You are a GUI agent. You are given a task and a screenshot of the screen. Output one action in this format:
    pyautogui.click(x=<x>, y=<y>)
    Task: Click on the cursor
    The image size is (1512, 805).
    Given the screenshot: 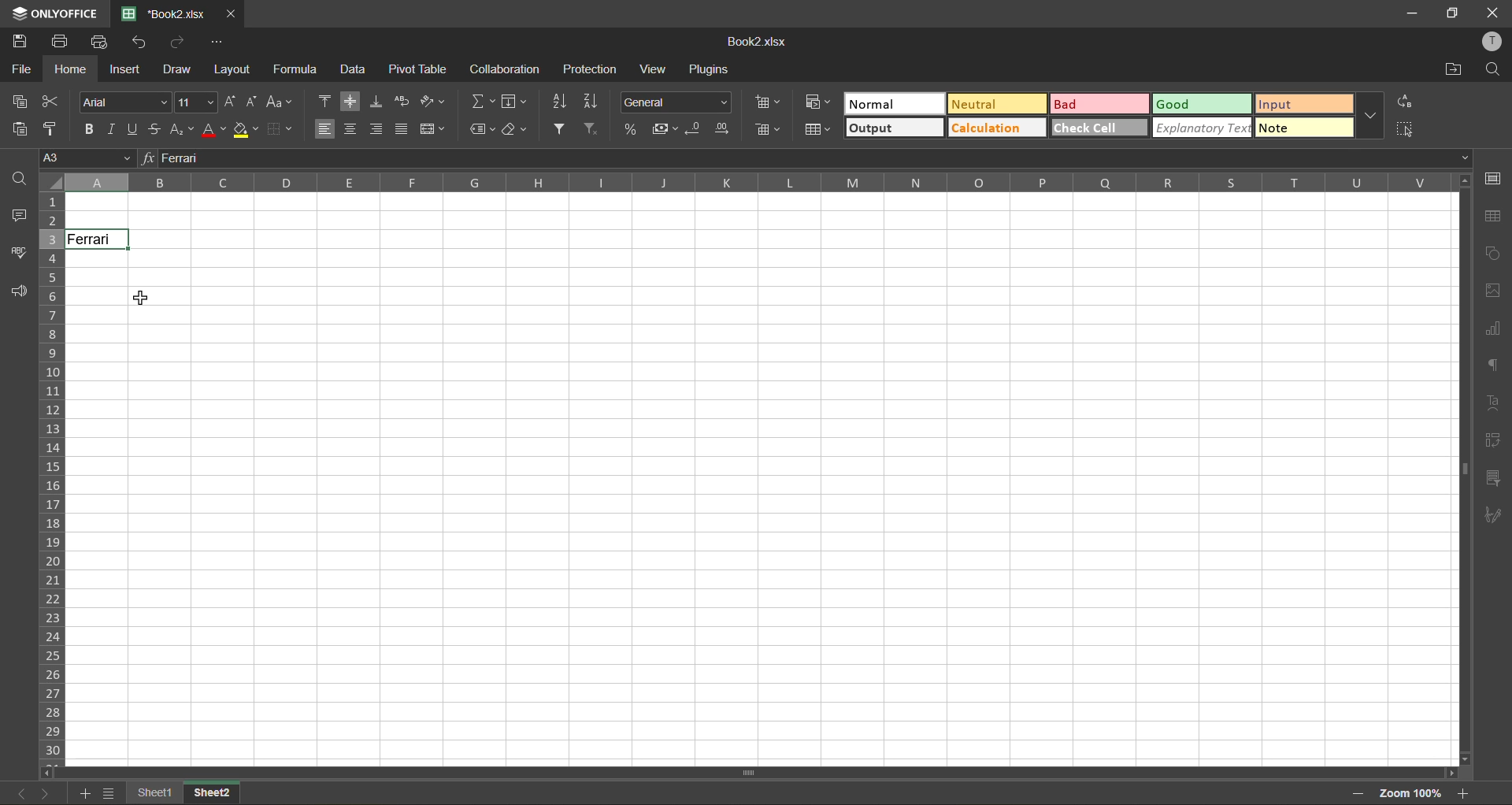 What is the action you would take?
    pyautogui.click(x=144, y=295)
    